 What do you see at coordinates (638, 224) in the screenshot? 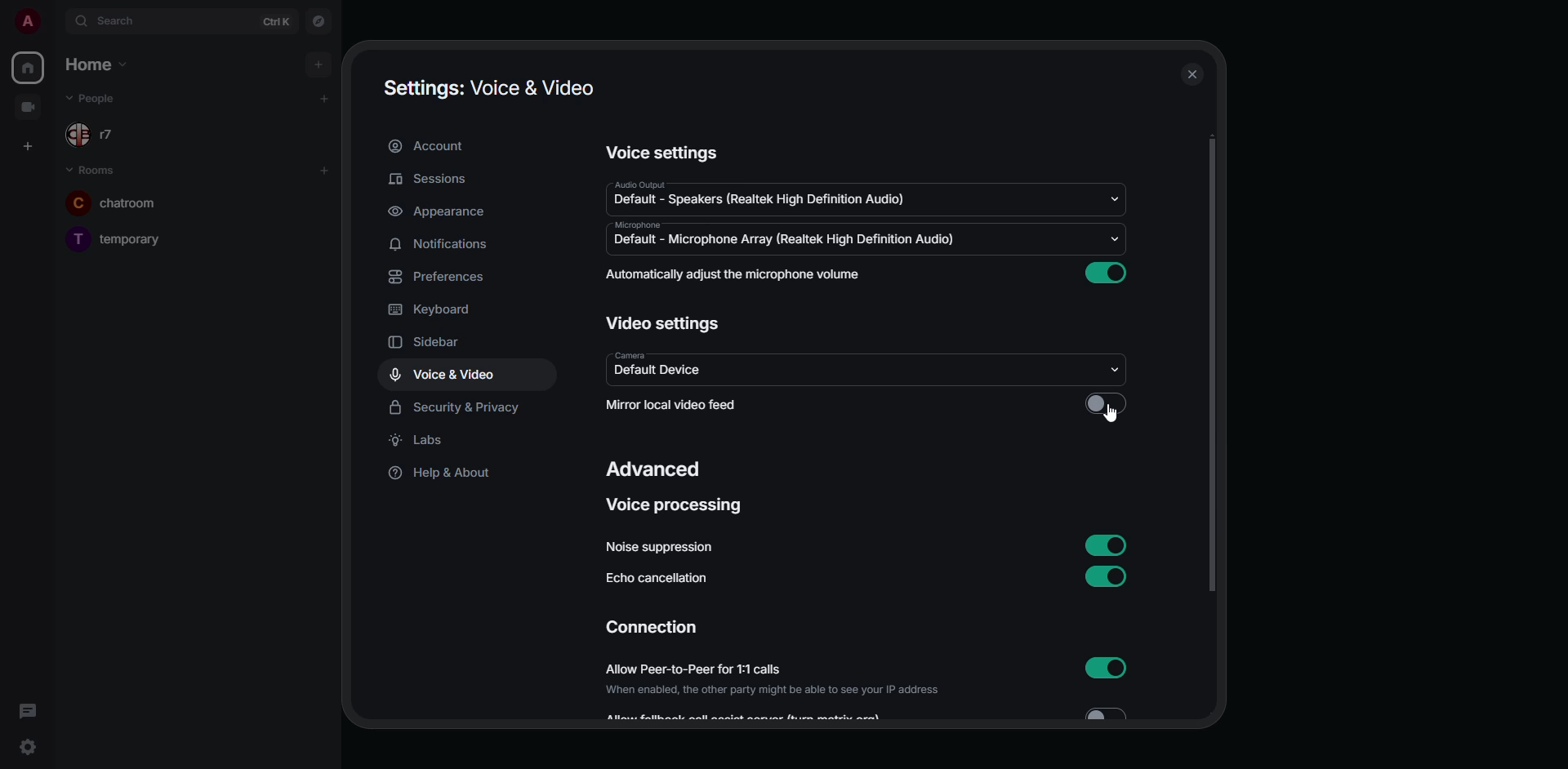
I see `microphone` at bounding box center [638, 224].